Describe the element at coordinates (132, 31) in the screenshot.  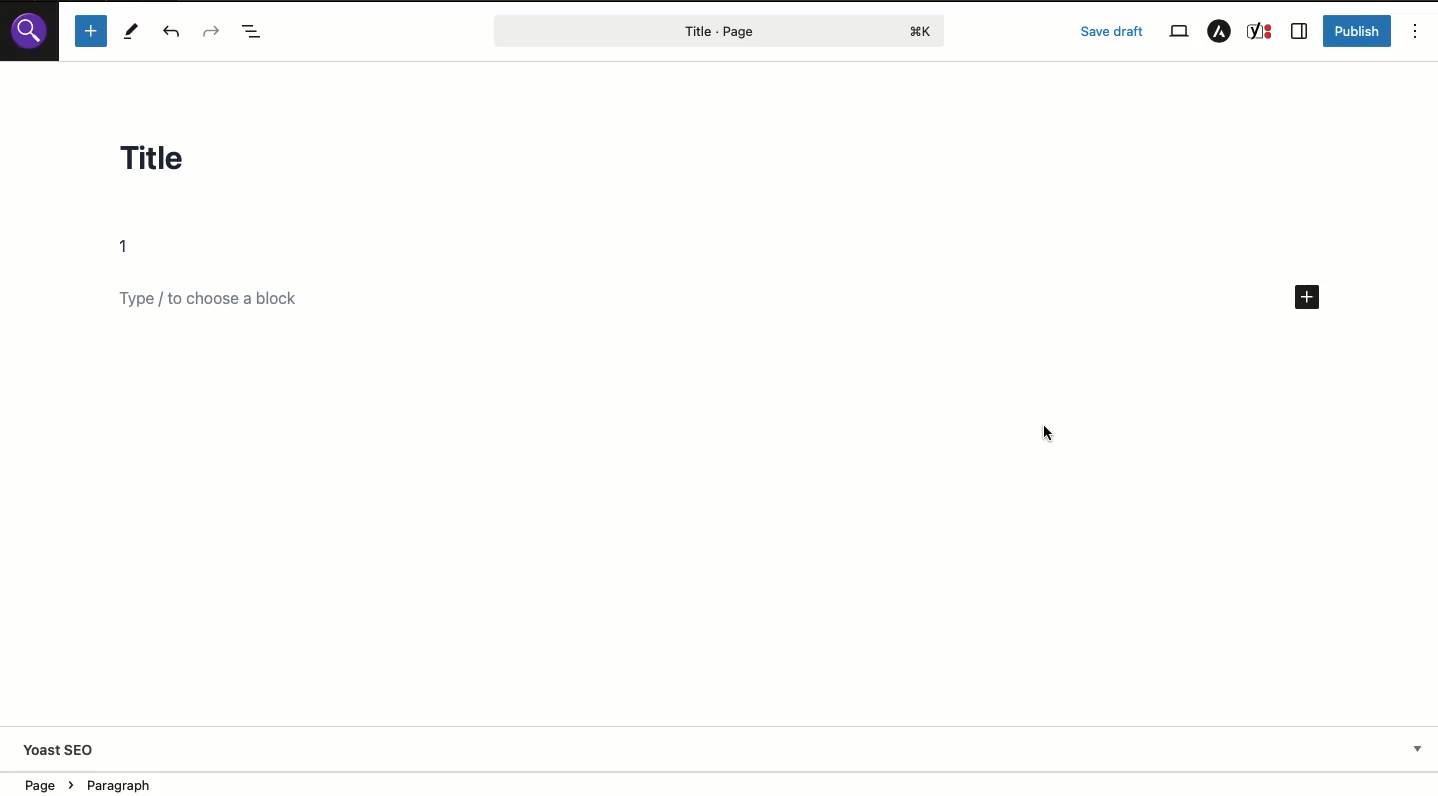
I see `Tools` at that location.